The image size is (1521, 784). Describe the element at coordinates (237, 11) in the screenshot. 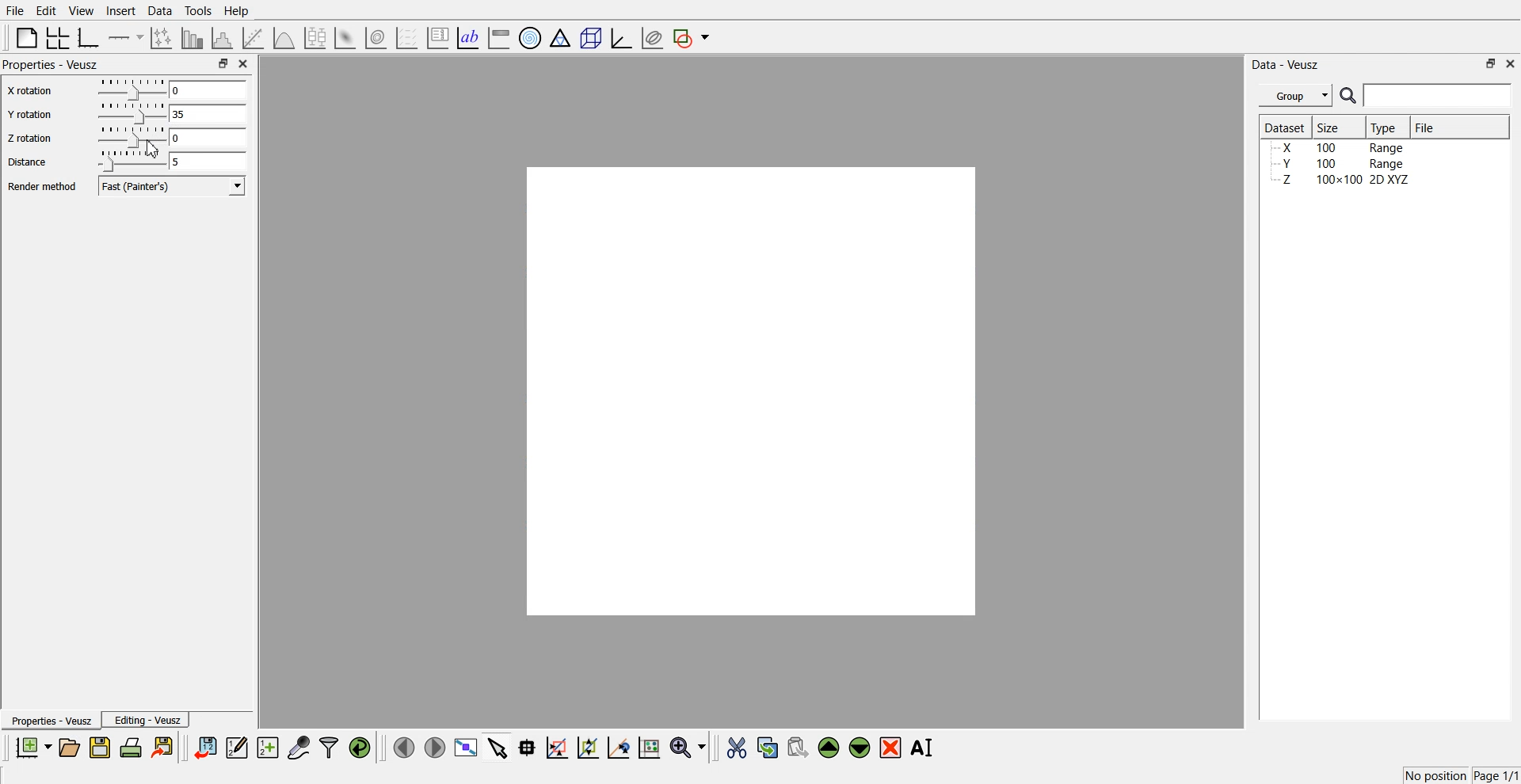

I see `Help` at that location.